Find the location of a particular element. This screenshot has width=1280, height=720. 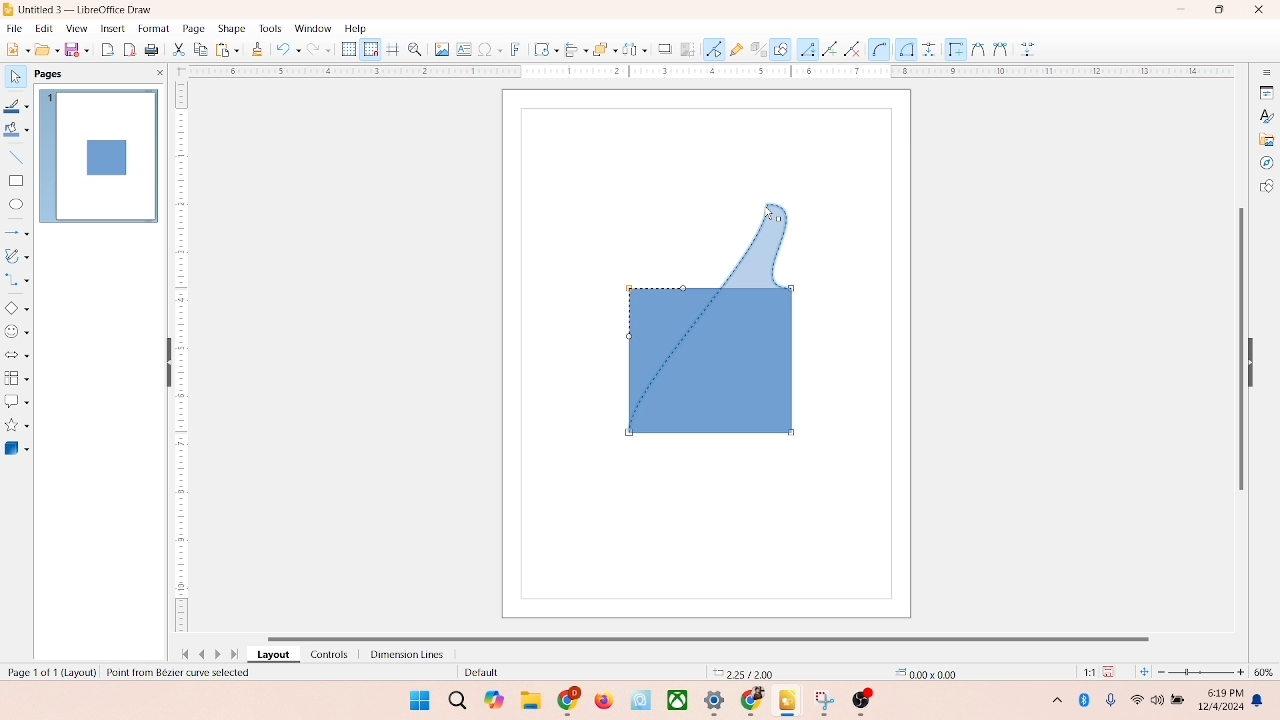

lines and arrows is located at coordinates (17, 232).